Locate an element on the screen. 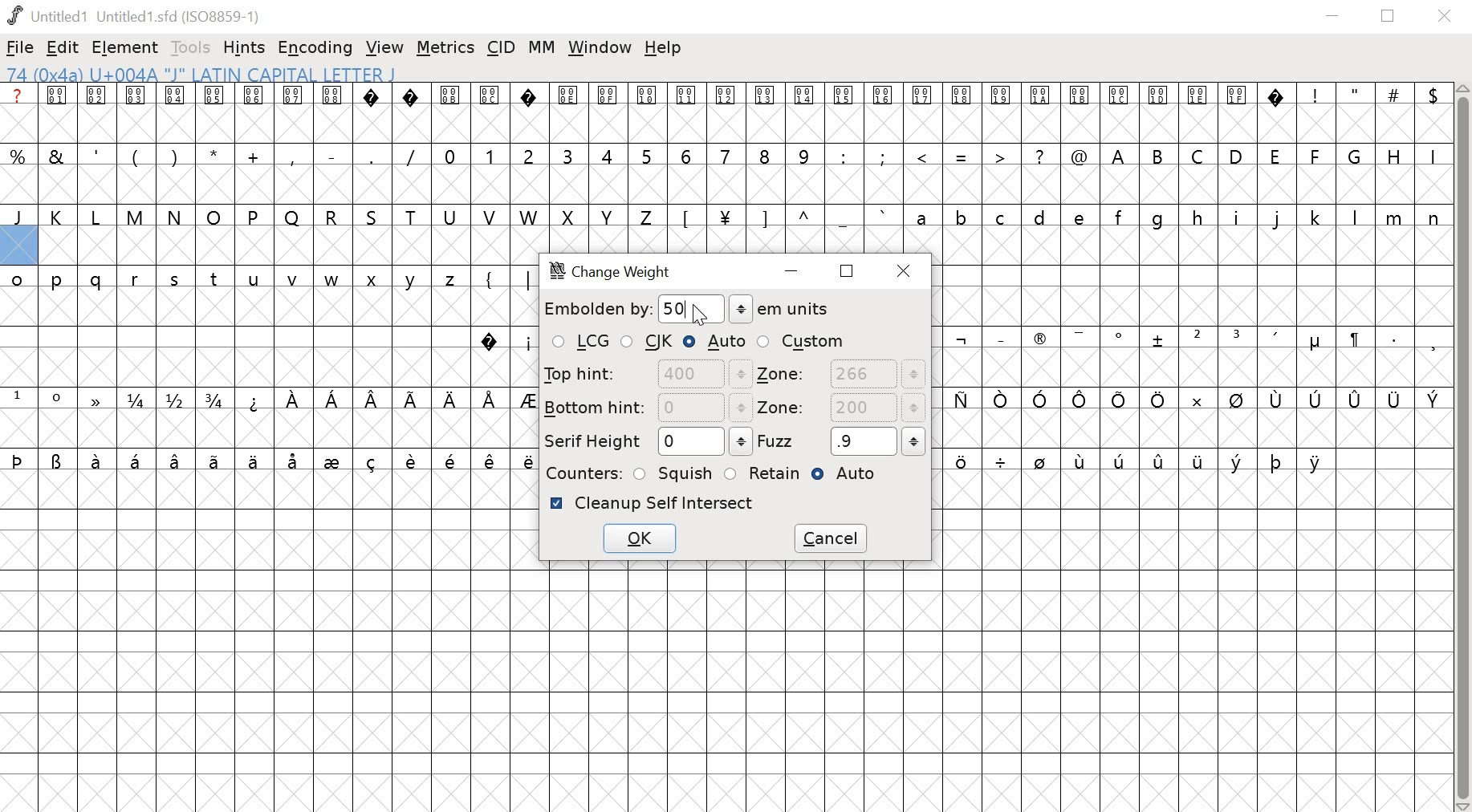 Image resolution: width=1472 pixels, height=812 pixels. OK is located at coordinates (638, 541).